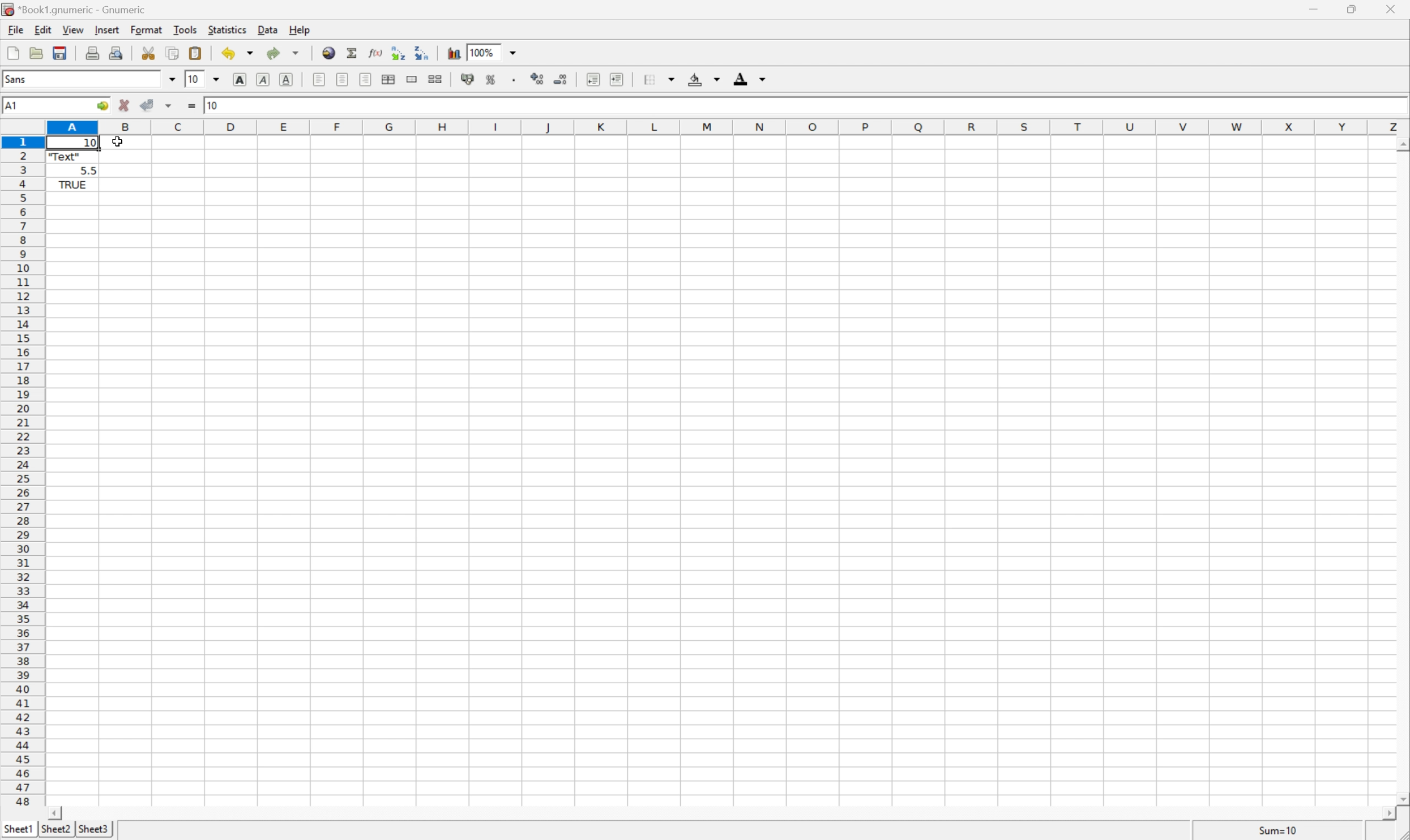 Image resolution: width=1410 pixels, height=840 pixels. I want to click on Minimize, so click(1315, 8).